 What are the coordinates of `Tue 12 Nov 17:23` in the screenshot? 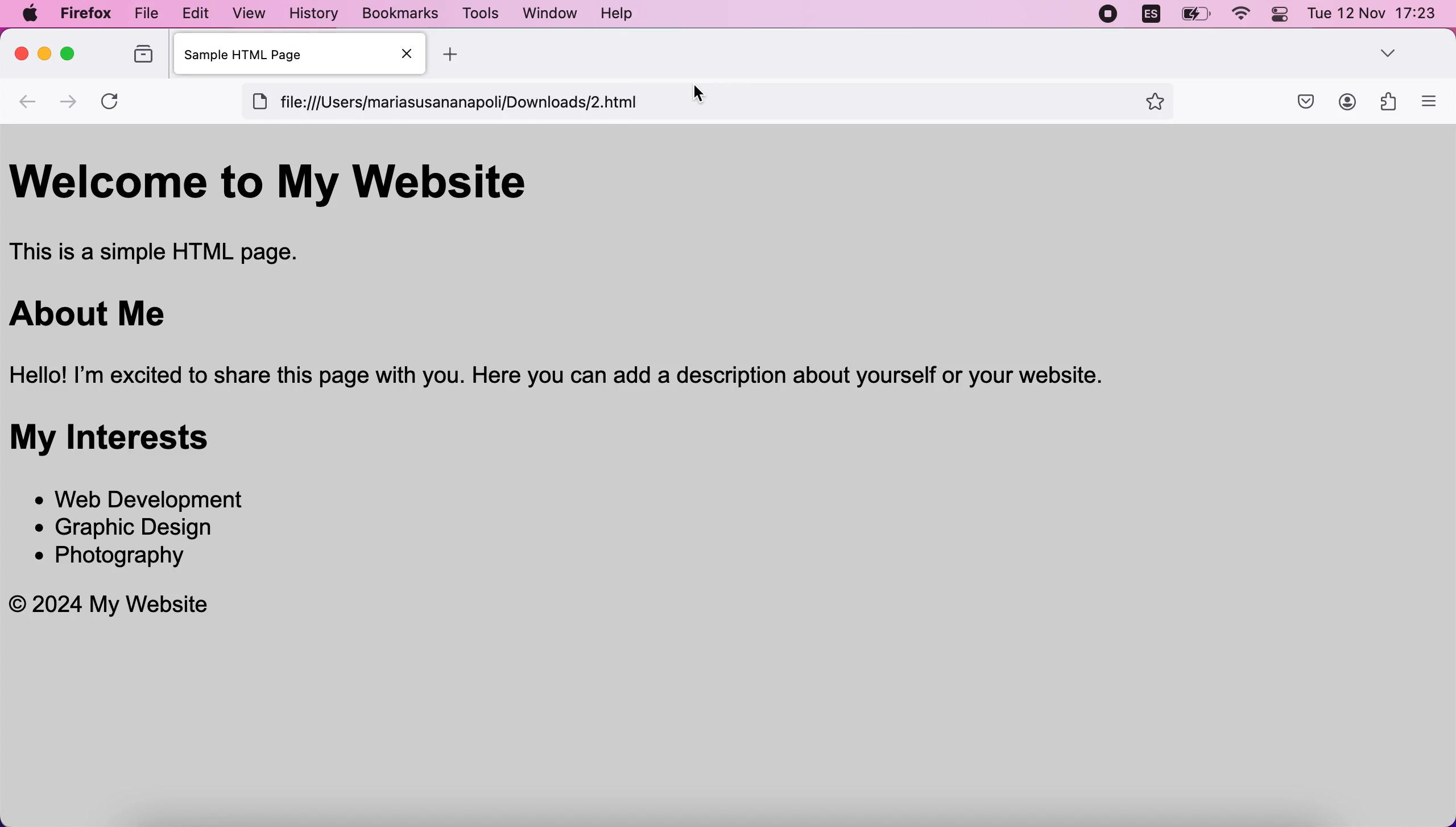 It's located at (1372, 14).